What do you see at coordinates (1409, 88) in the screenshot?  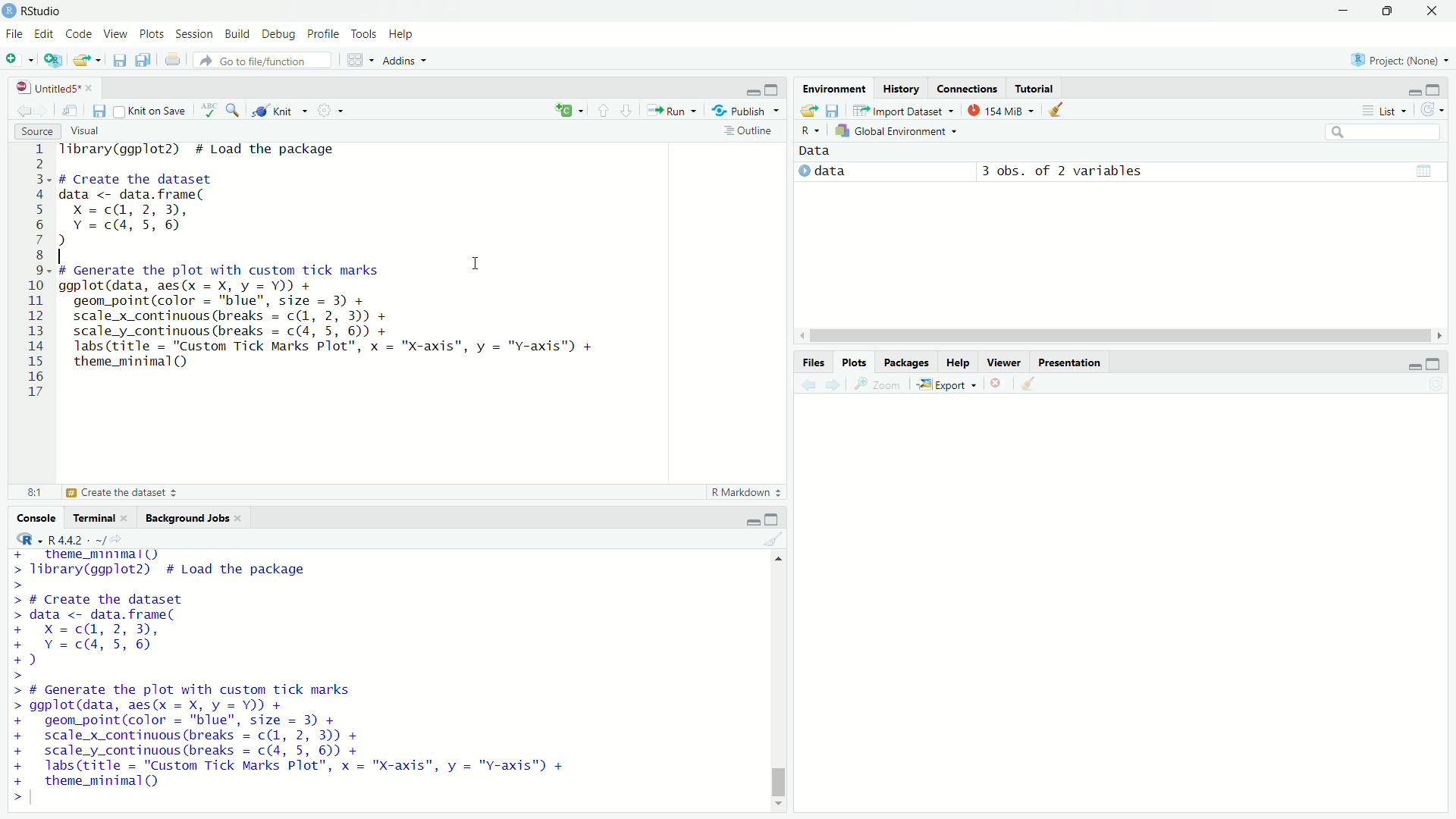 I see `minimize` at bounding box center [1409, 88].